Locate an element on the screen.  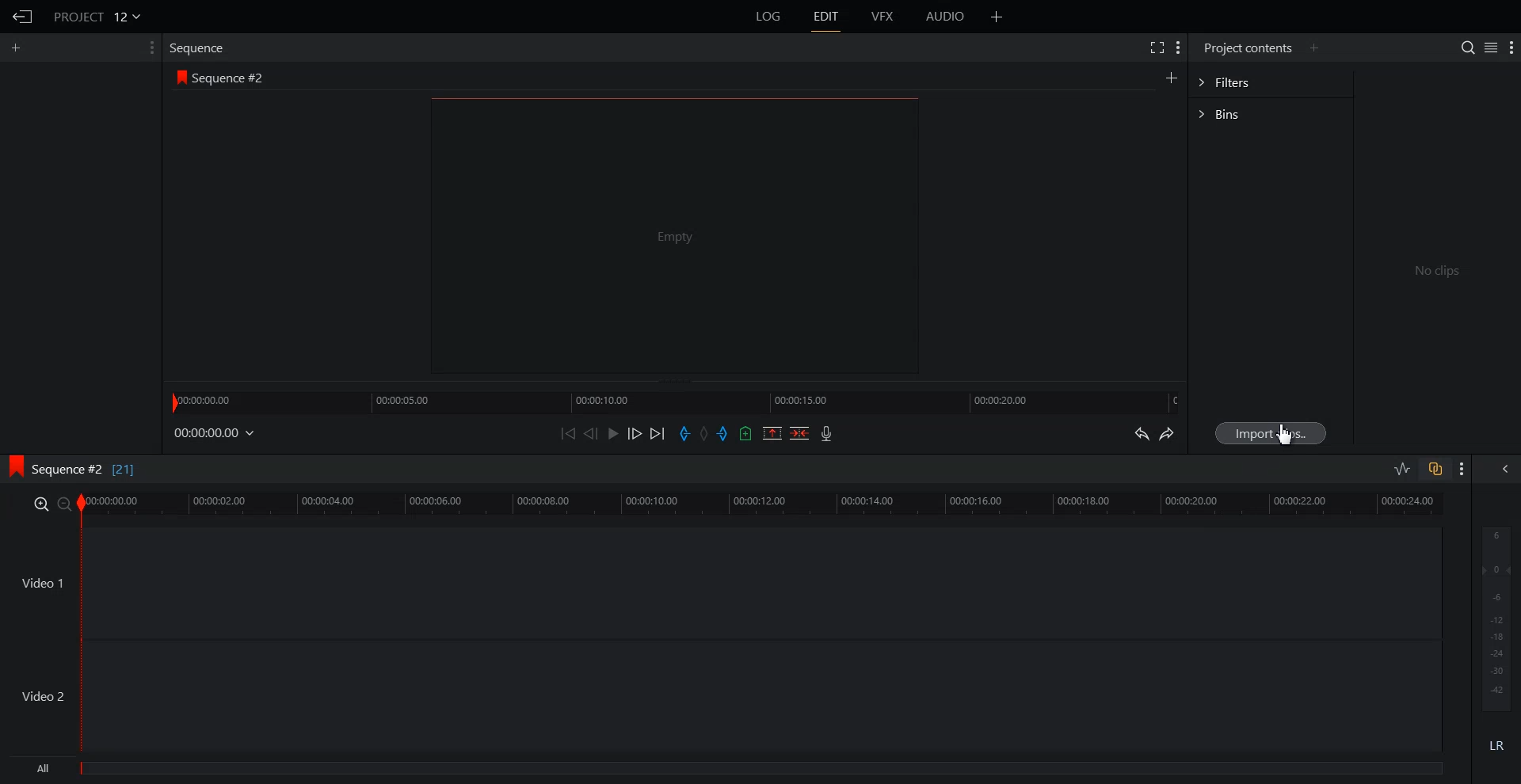
Import Clips is located at coordinates (1271, 432).